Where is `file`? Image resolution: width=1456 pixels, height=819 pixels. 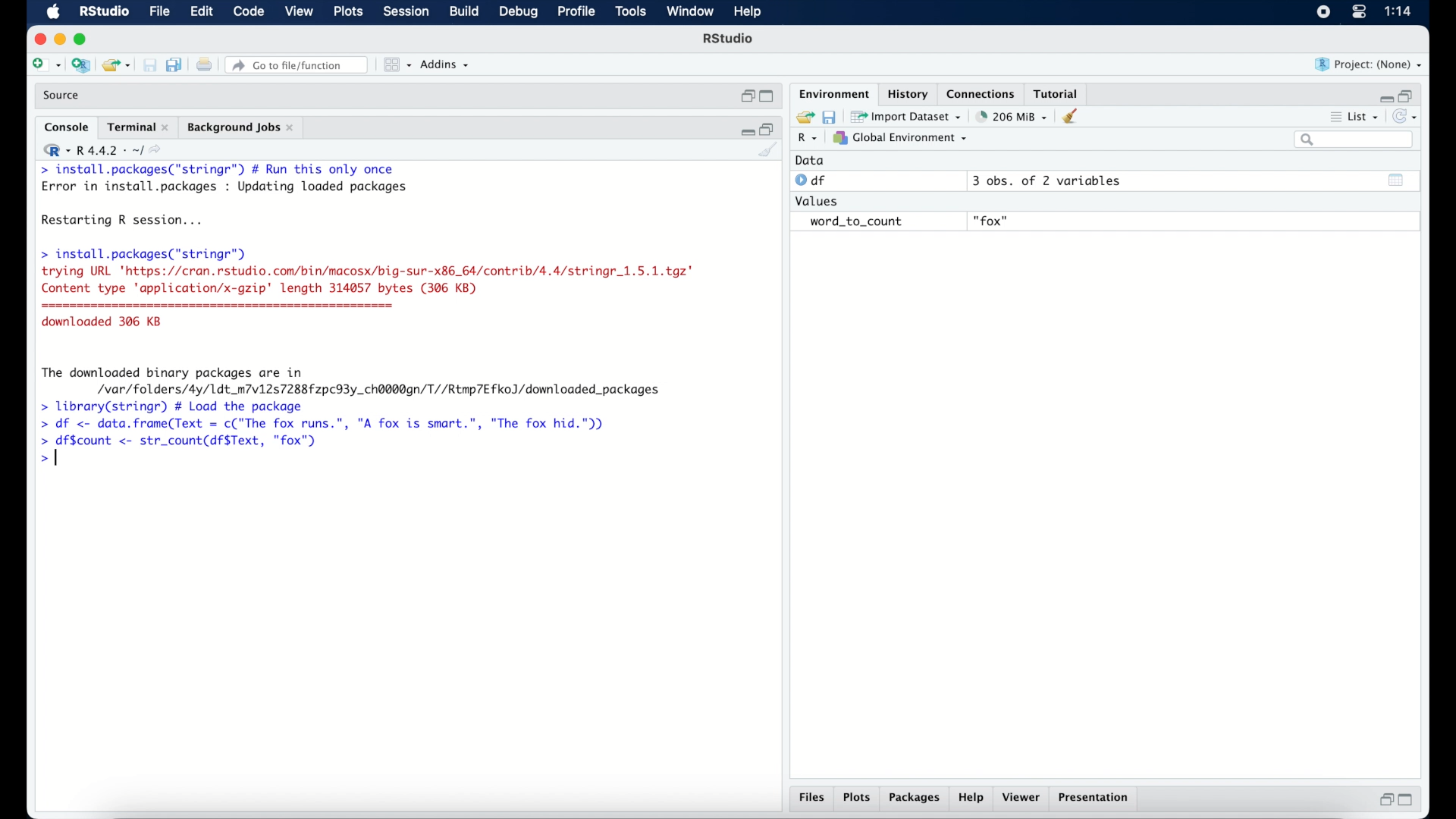
file is located at coordinates (161, 12).